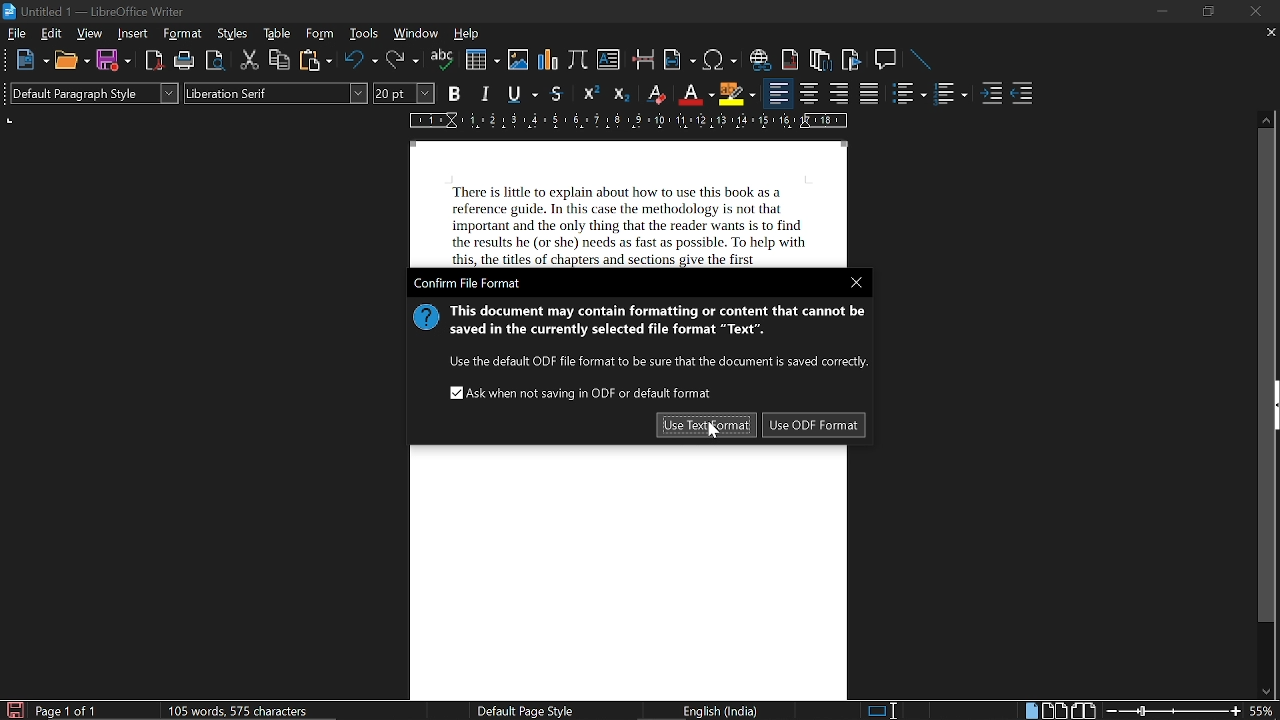 The width and height of the screenshot is (1280, 720). Describe the element at coordinates (870, 93) in the screenshot. I see `justified` at that location.